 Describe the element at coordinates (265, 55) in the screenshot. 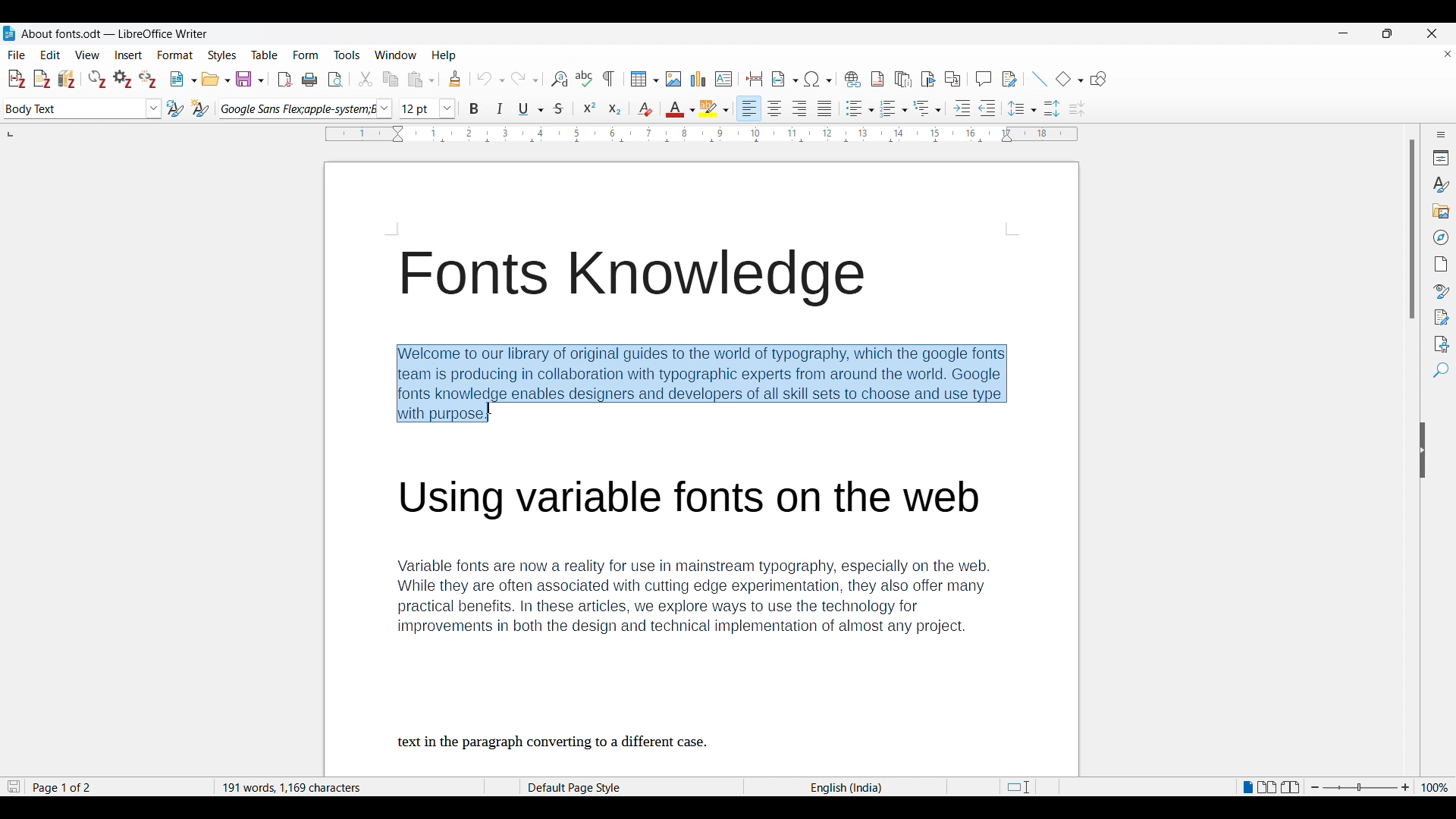

I see `Table menu` at that location.